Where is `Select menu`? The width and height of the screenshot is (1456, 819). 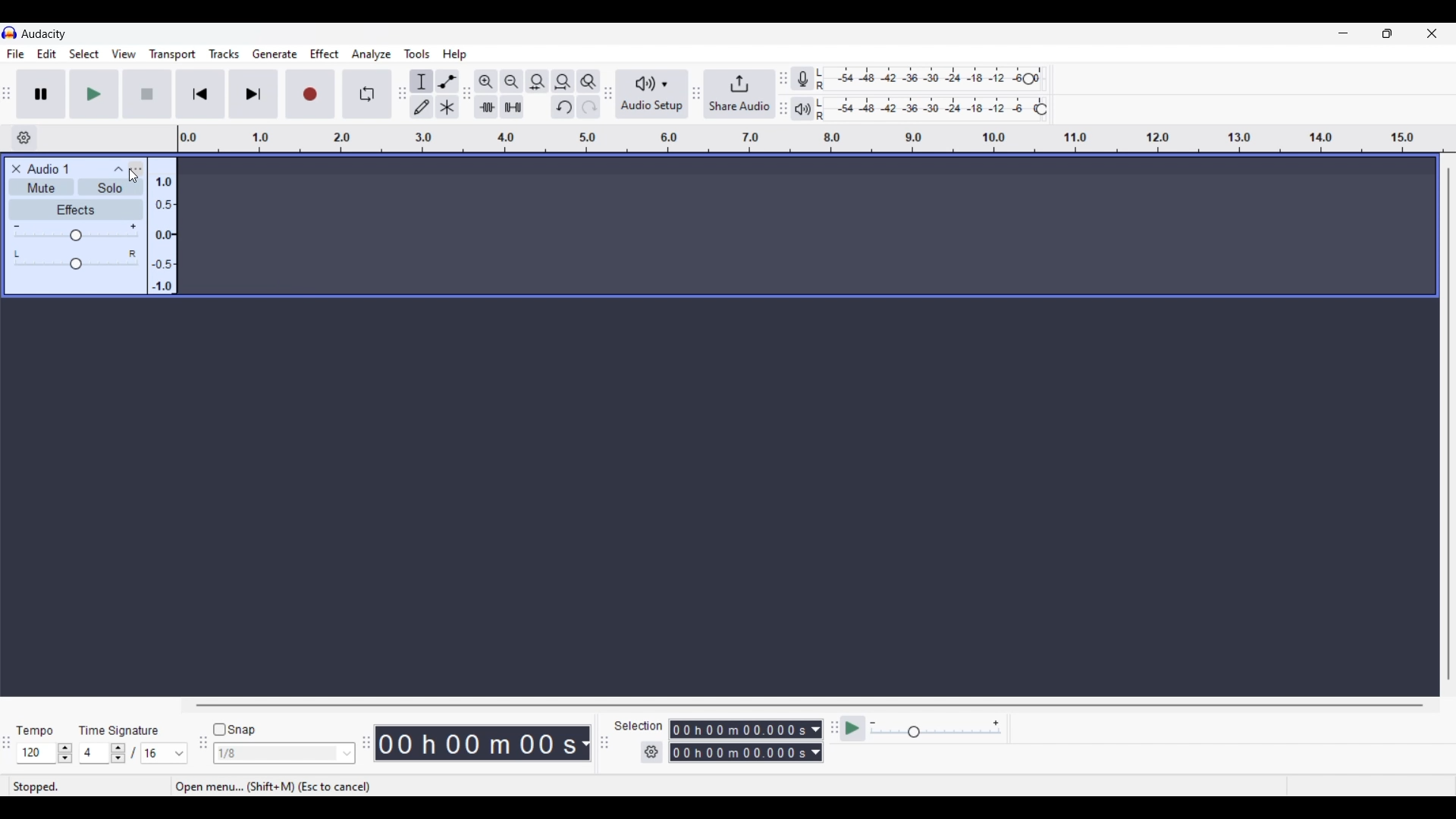
Select menu is located at coordinates (84, 55).